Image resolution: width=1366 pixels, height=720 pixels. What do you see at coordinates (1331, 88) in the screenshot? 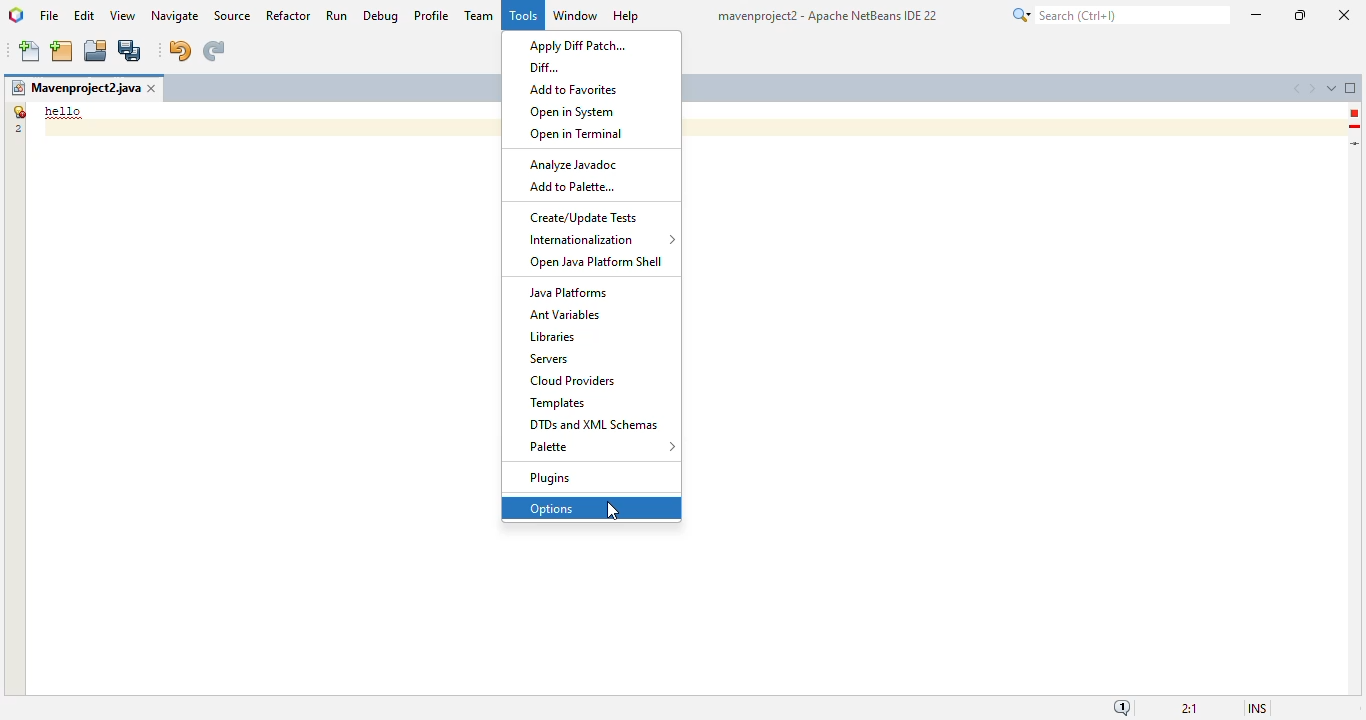
I see `show opened documents list` at bounding box center [1331, 88].